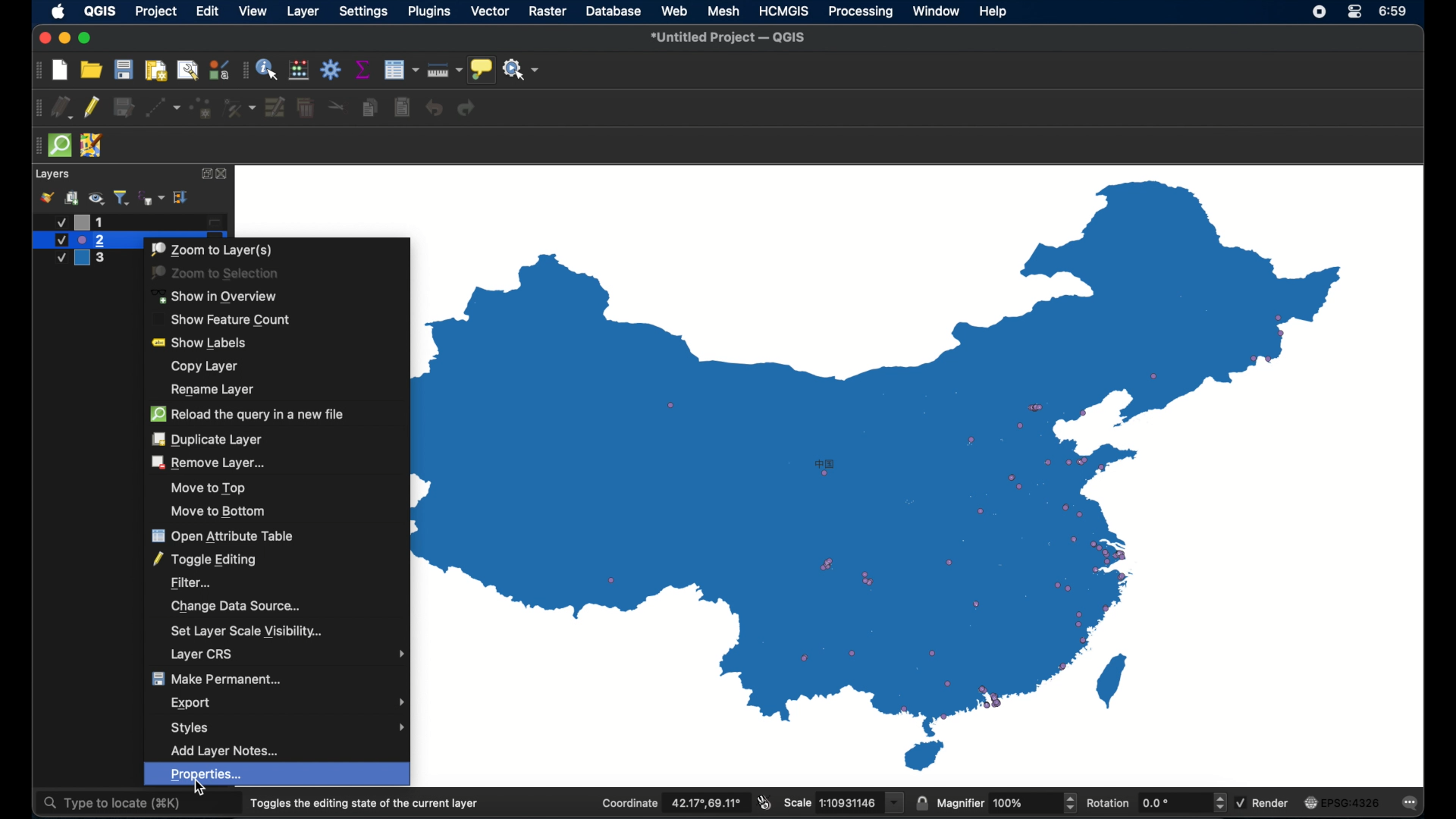 The height and width of the screenshot is (819, 1456). Describe the element at coordinates (723, 11) in the screenshot. I see `mesh` at that location.